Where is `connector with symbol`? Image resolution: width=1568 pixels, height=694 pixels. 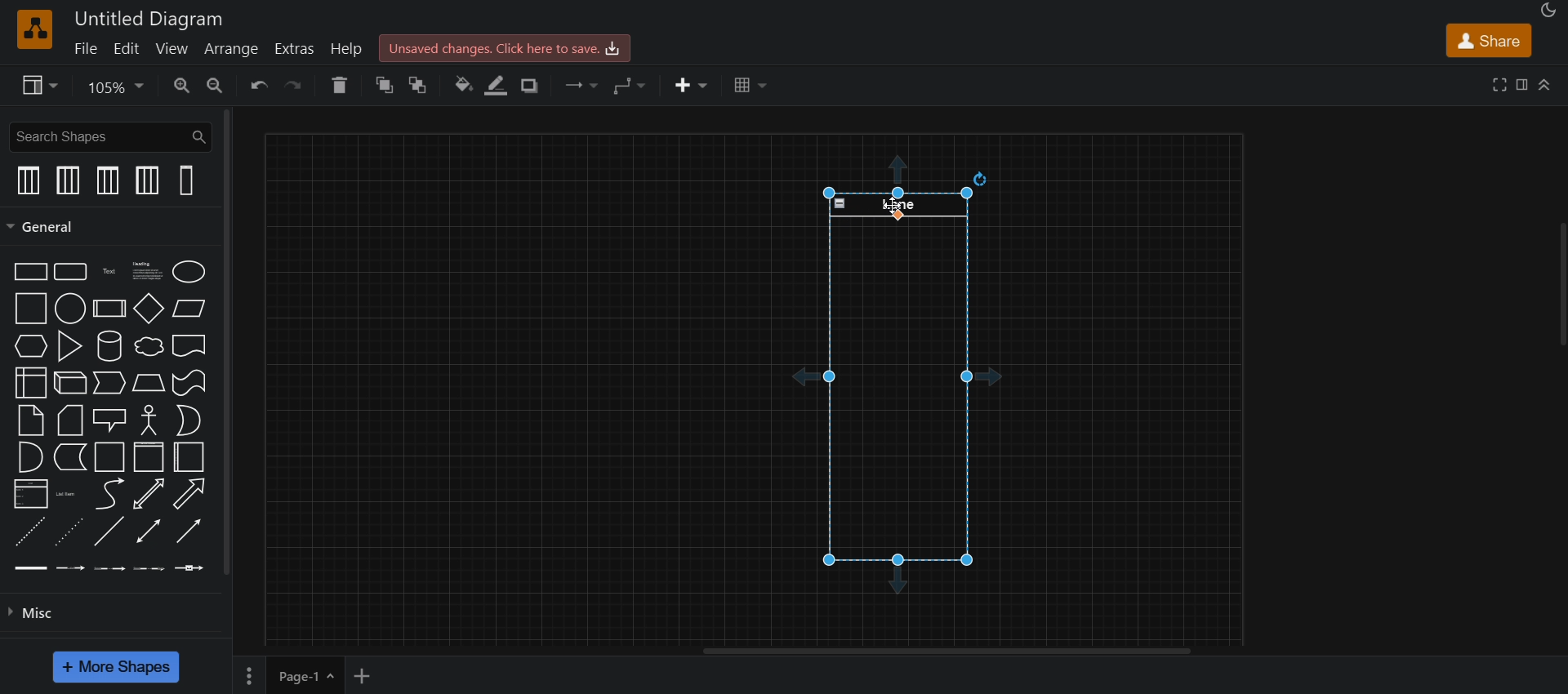
connector with symbol is located at coordinates (191, 570).